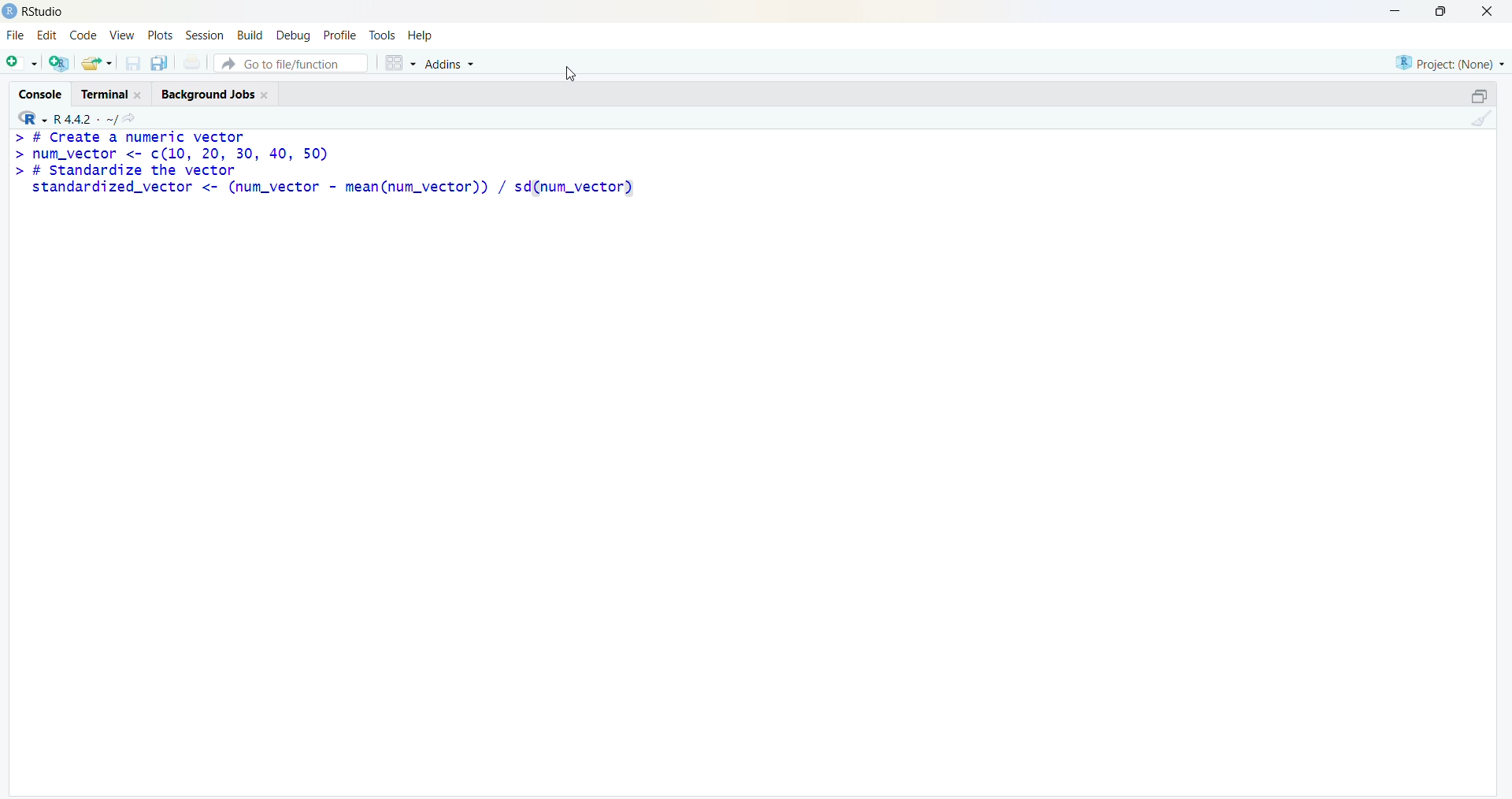 The image size is (1512, 799). I want to click on add file as, so click(24, 63).